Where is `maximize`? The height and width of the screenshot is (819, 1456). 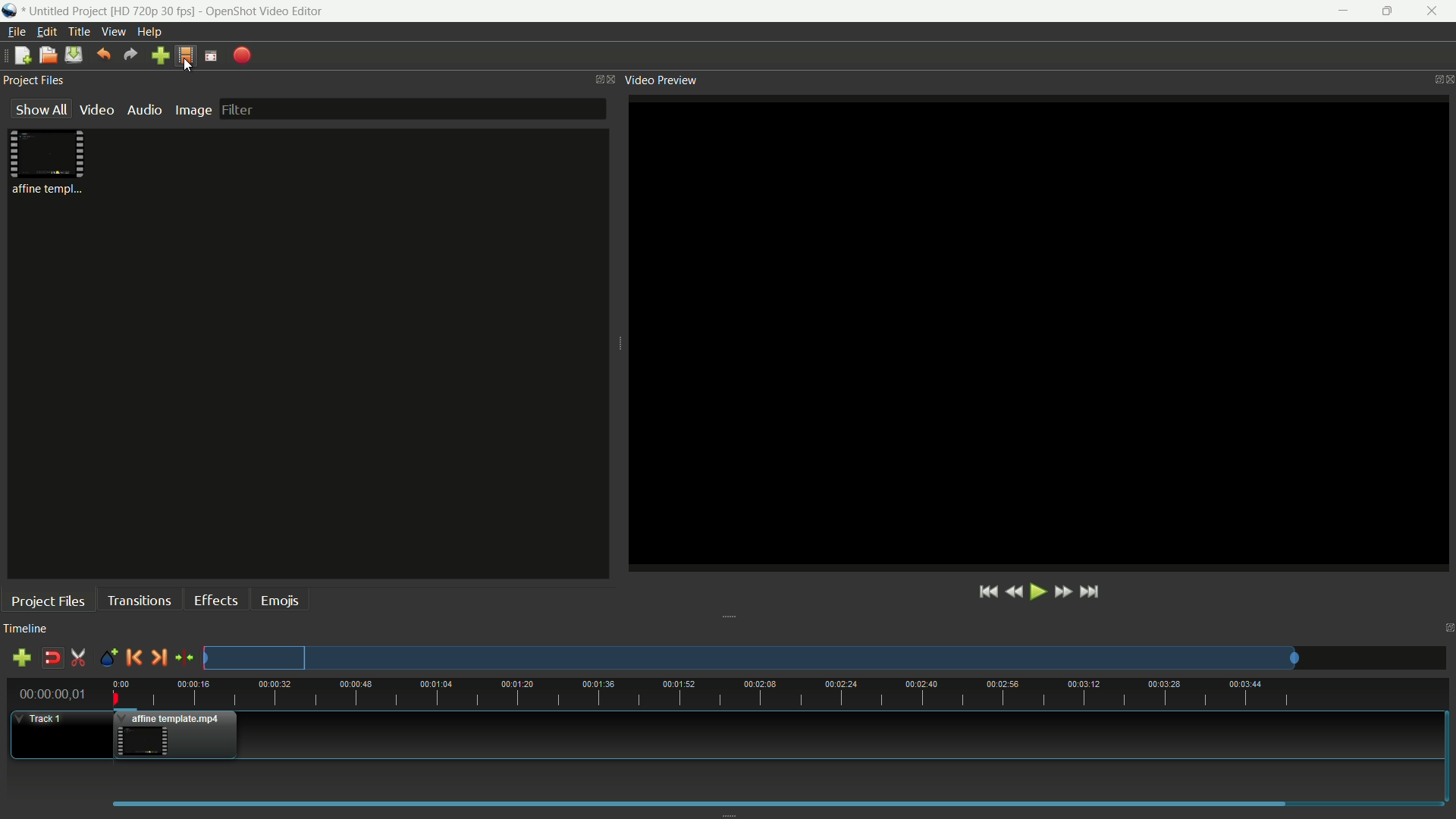
maximize is located at coordinates (1389, 12).